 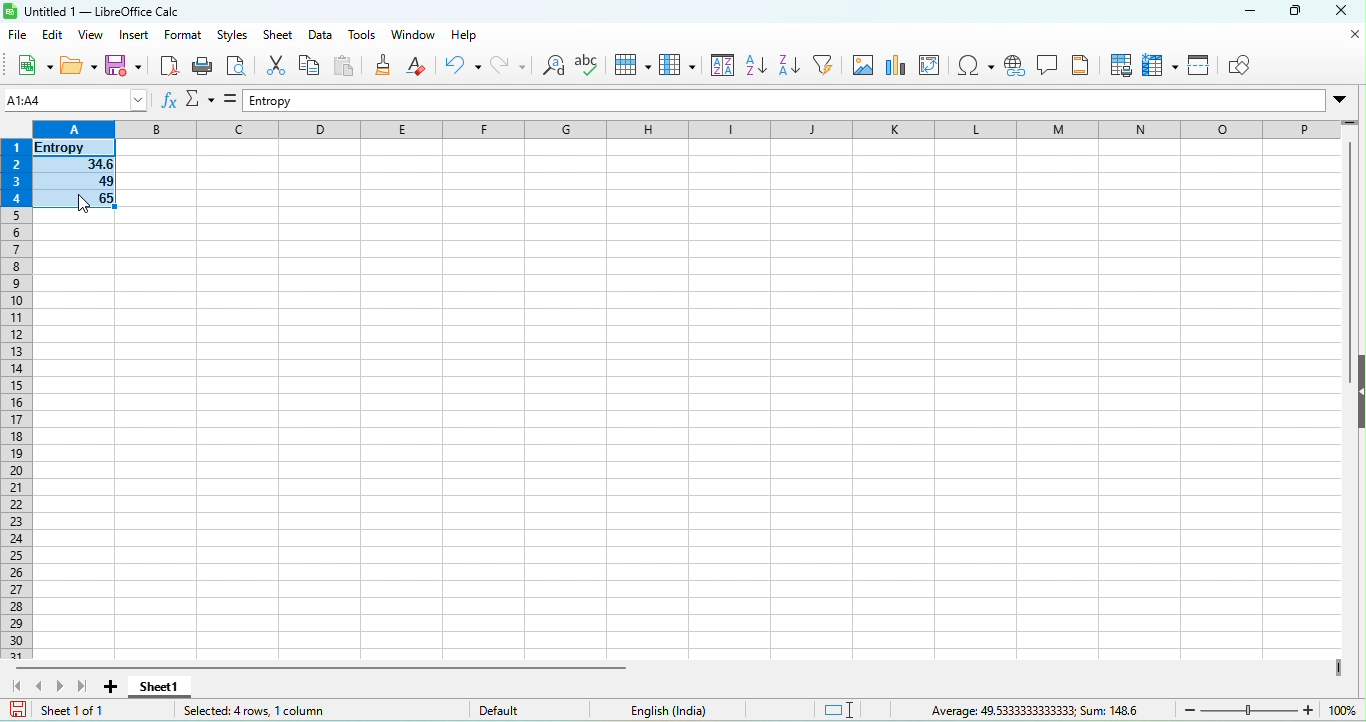 What do you see at coordinates (1246, 65) in the screenshot?
I see `show draw function` at bounding box center [1246, 65].